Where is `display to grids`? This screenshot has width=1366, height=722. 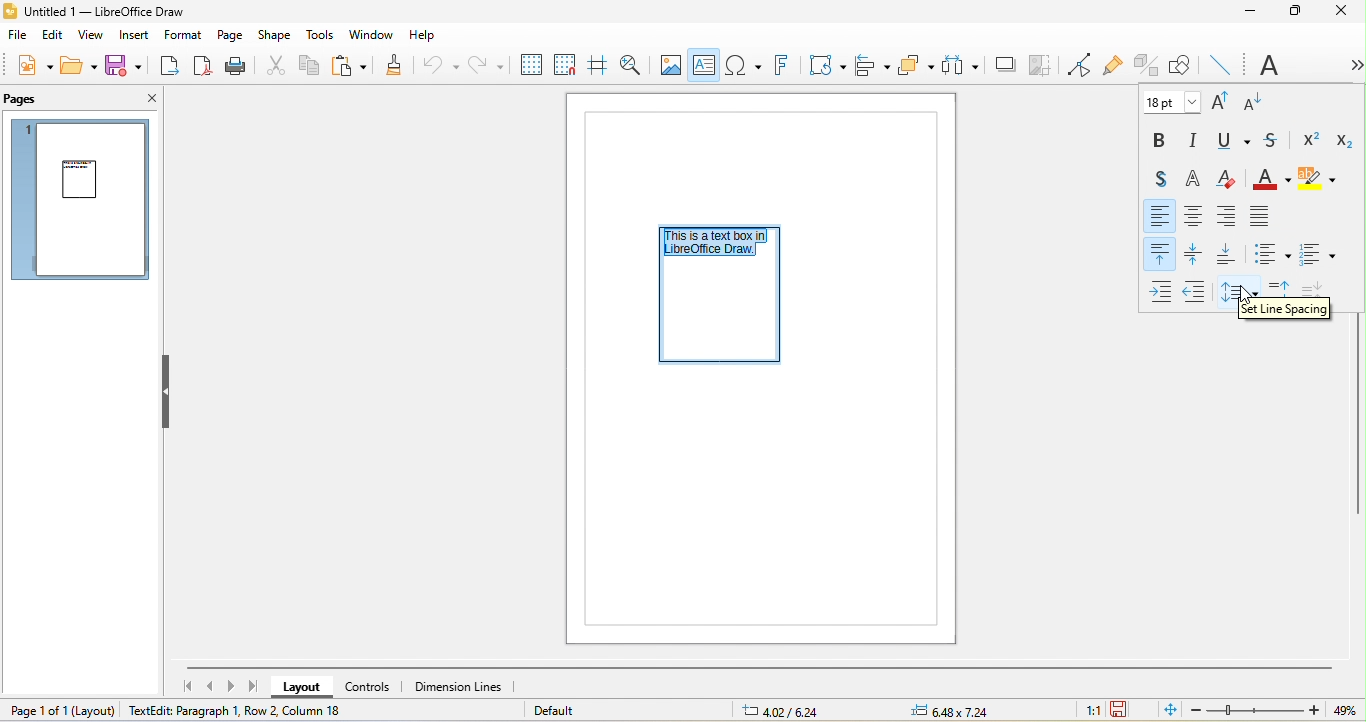
display to grids is located at coordinates (529, 65).